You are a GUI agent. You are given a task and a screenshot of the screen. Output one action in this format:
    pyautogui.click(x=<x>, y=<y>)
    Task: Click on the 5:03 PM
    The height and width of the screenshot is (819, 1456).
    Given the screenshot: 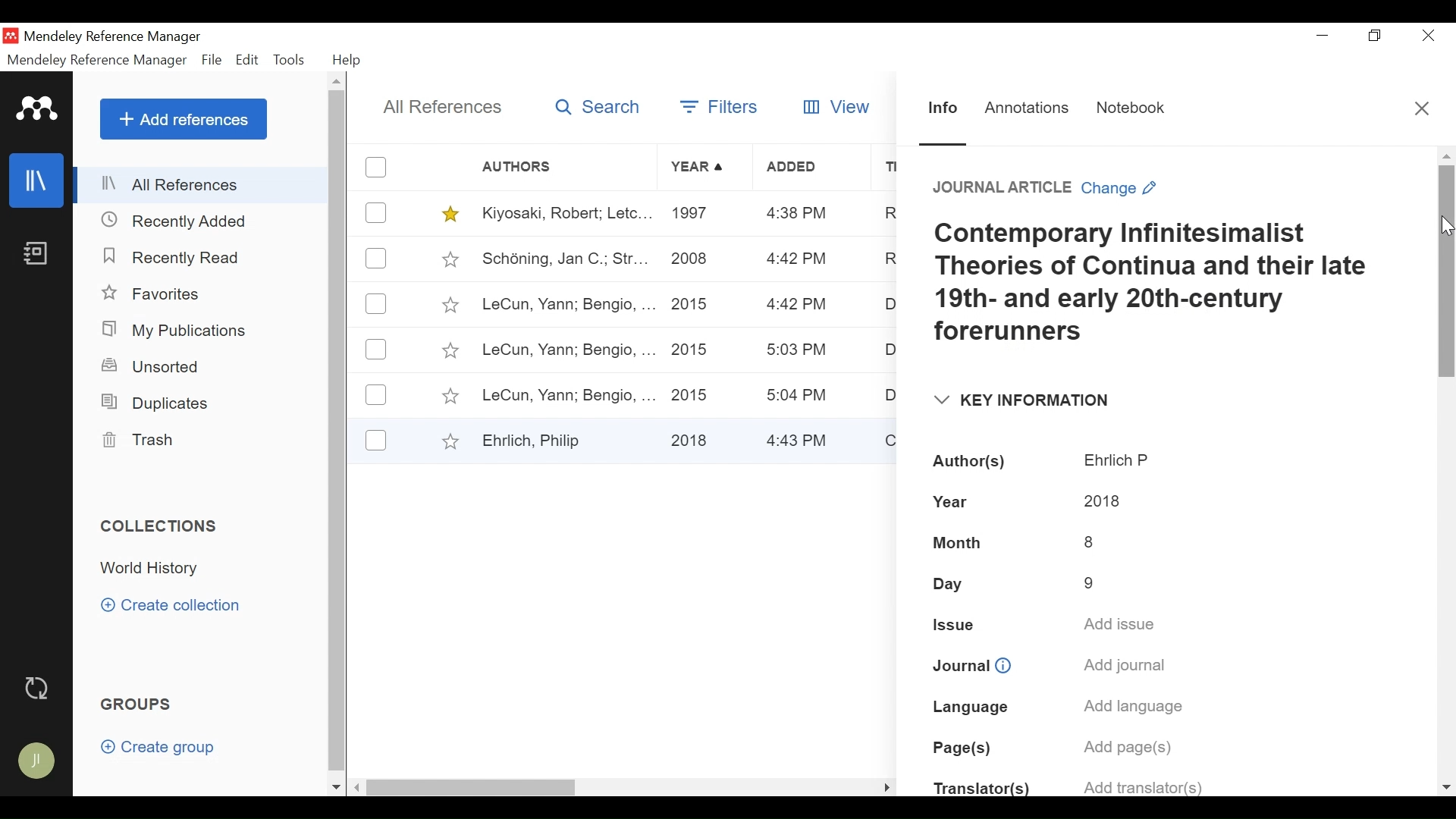 What is the action you would take?
    pyautogui.click(x=799, y=352)
    